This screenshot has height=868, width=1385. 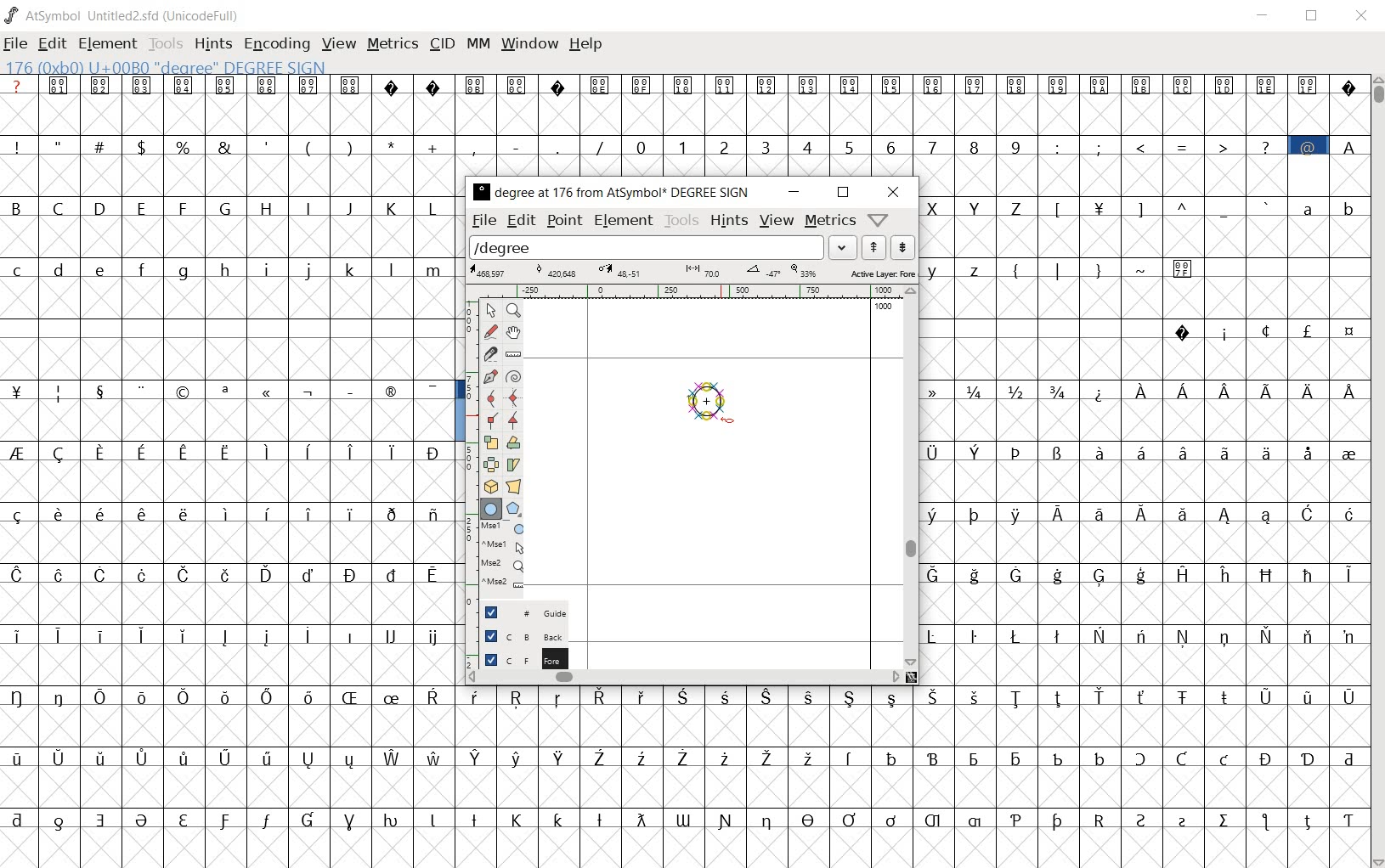 I want to click on Rotate the selection, so click(x=513, y=442).